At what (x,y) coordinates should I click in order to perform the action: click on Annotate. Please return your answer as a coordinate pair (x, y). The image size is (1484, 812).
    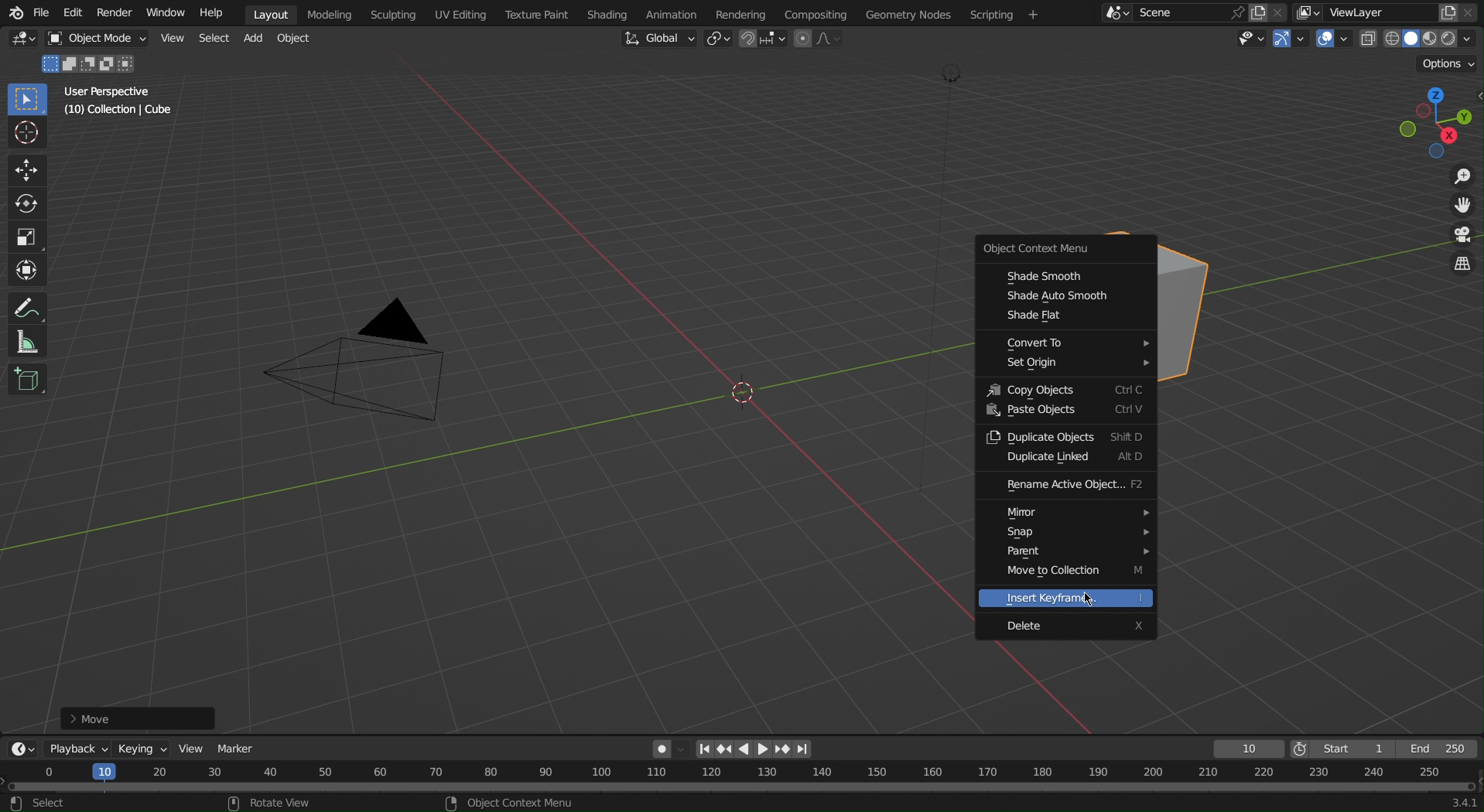
    Looking at the image, I should click on (26, 309).